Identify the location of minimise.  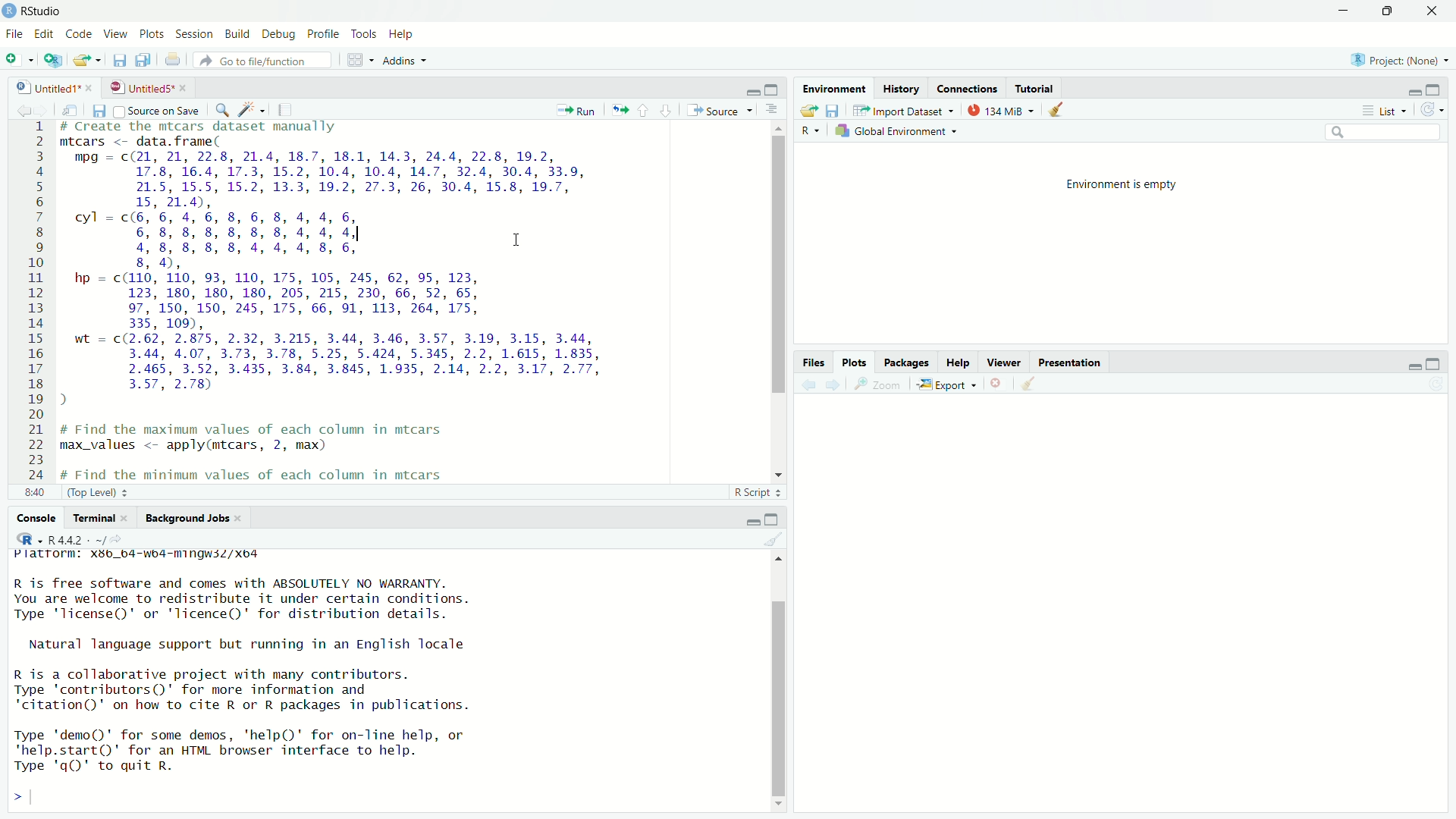
(1414, 88).